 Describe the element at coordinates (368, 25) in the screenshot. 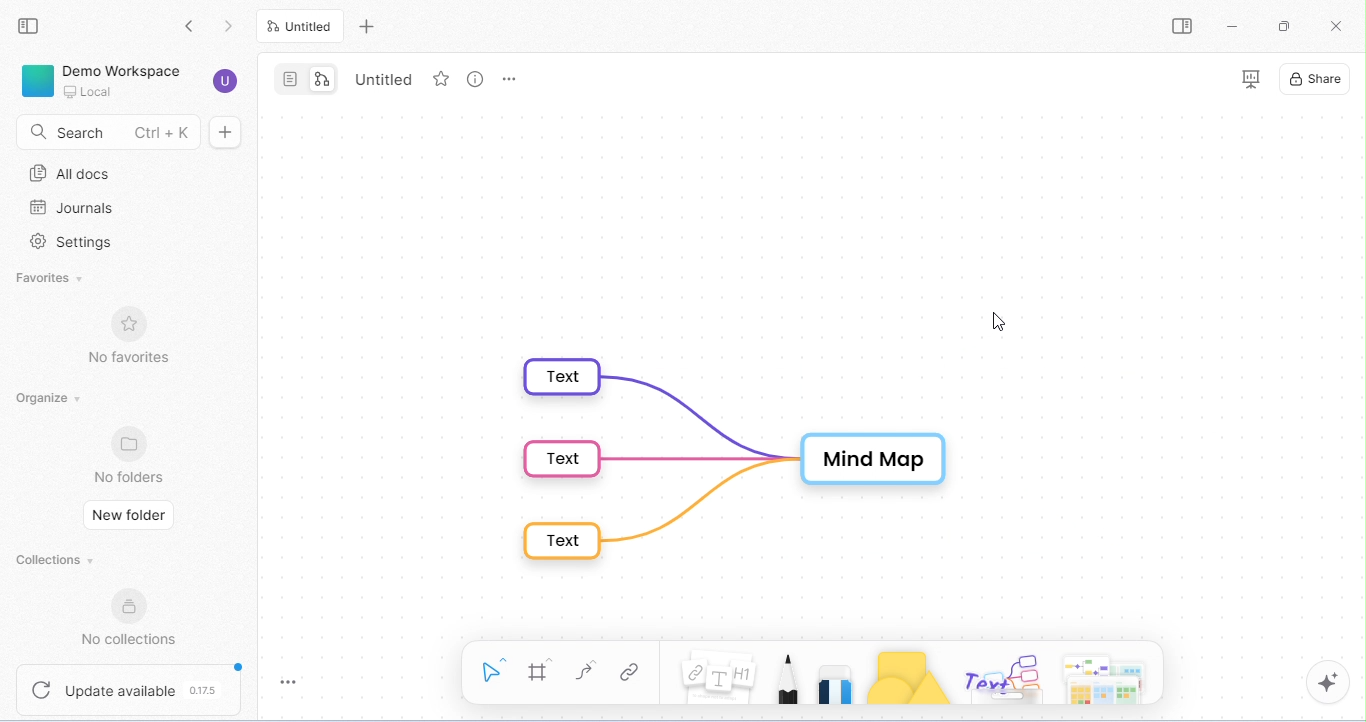

I see `add new tab` at that location.